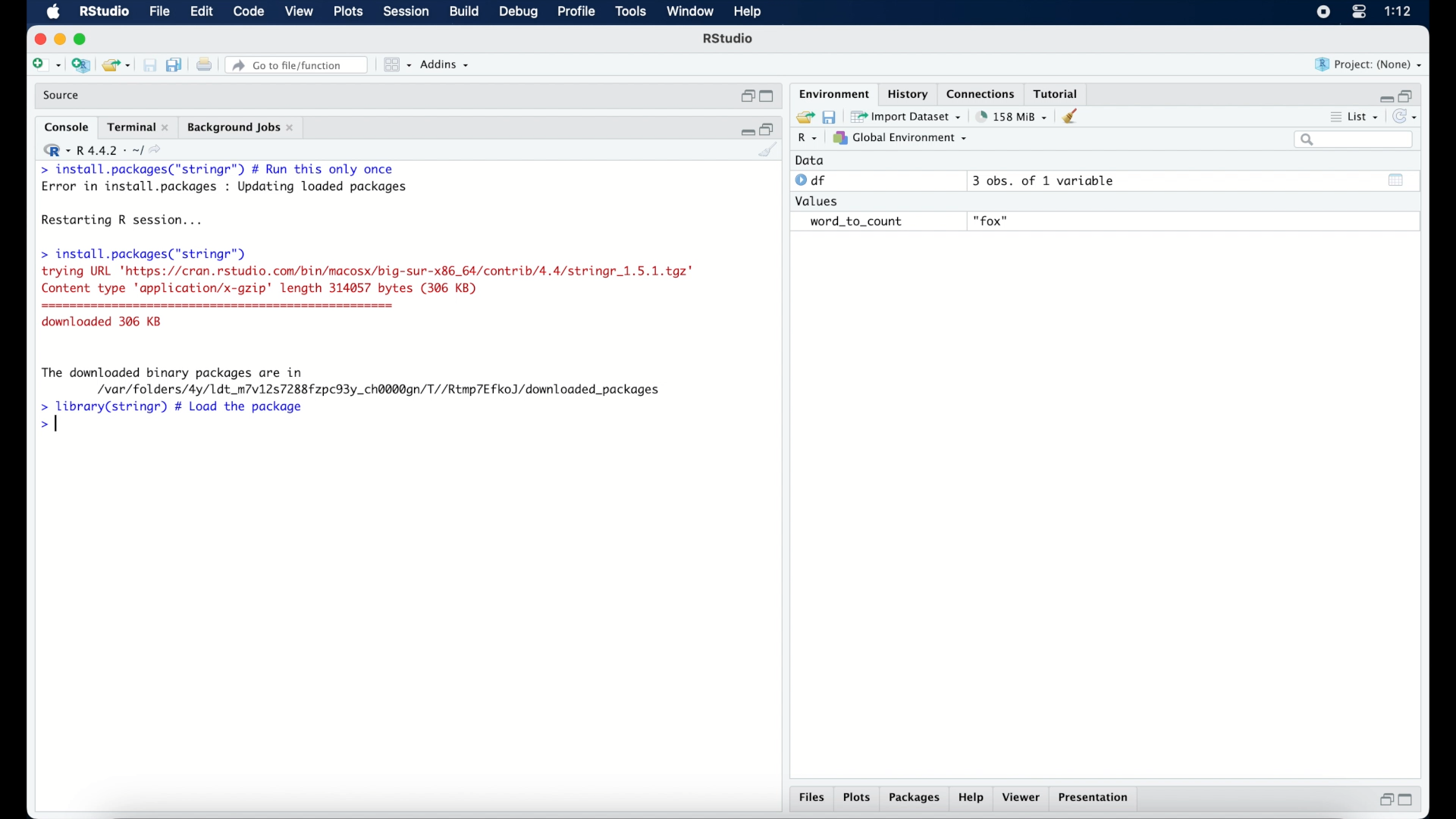  I want to click on tutorial, so click(1056, 92).